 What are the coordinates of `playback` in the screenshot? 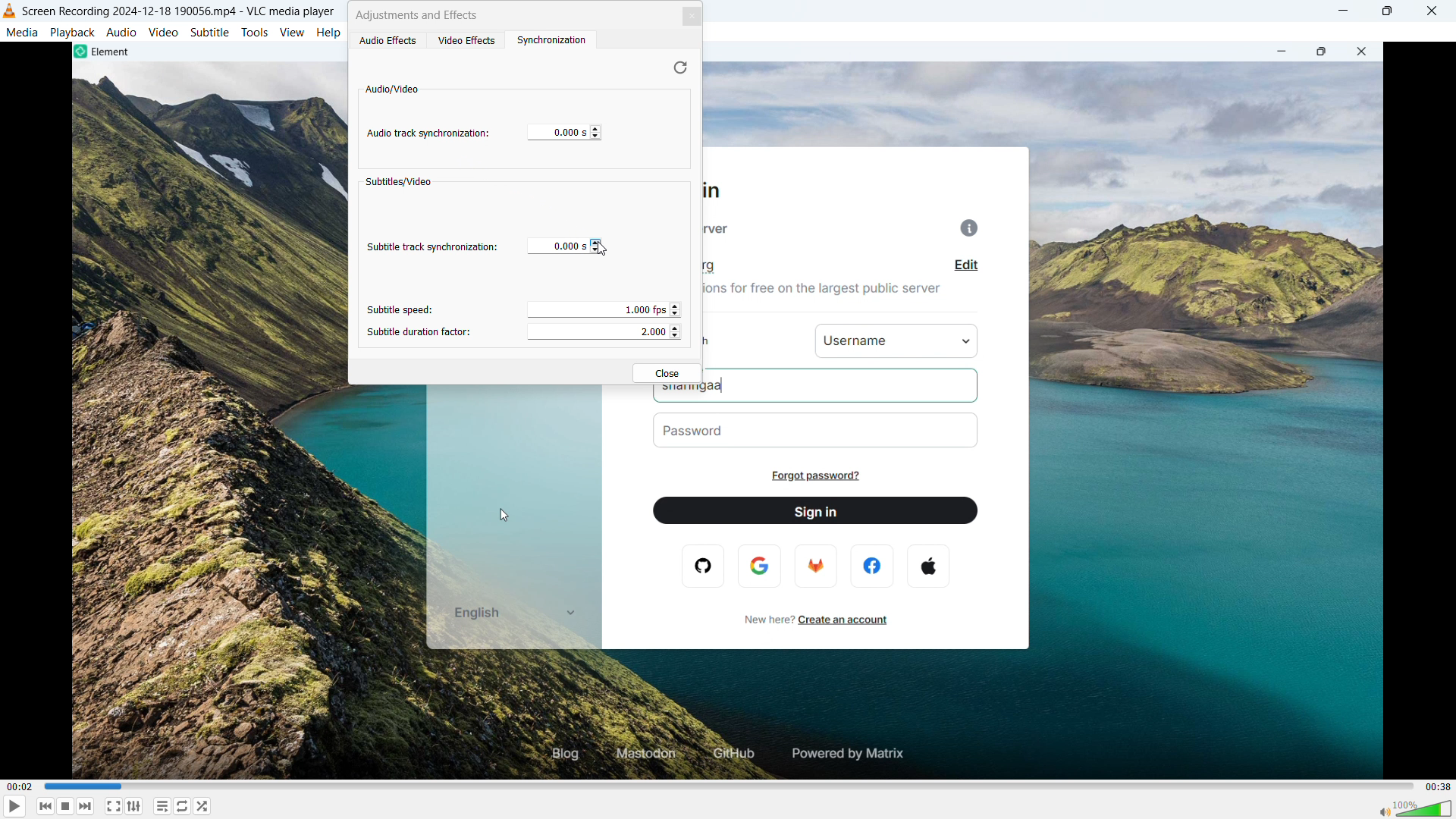 It's located at (73, 33).